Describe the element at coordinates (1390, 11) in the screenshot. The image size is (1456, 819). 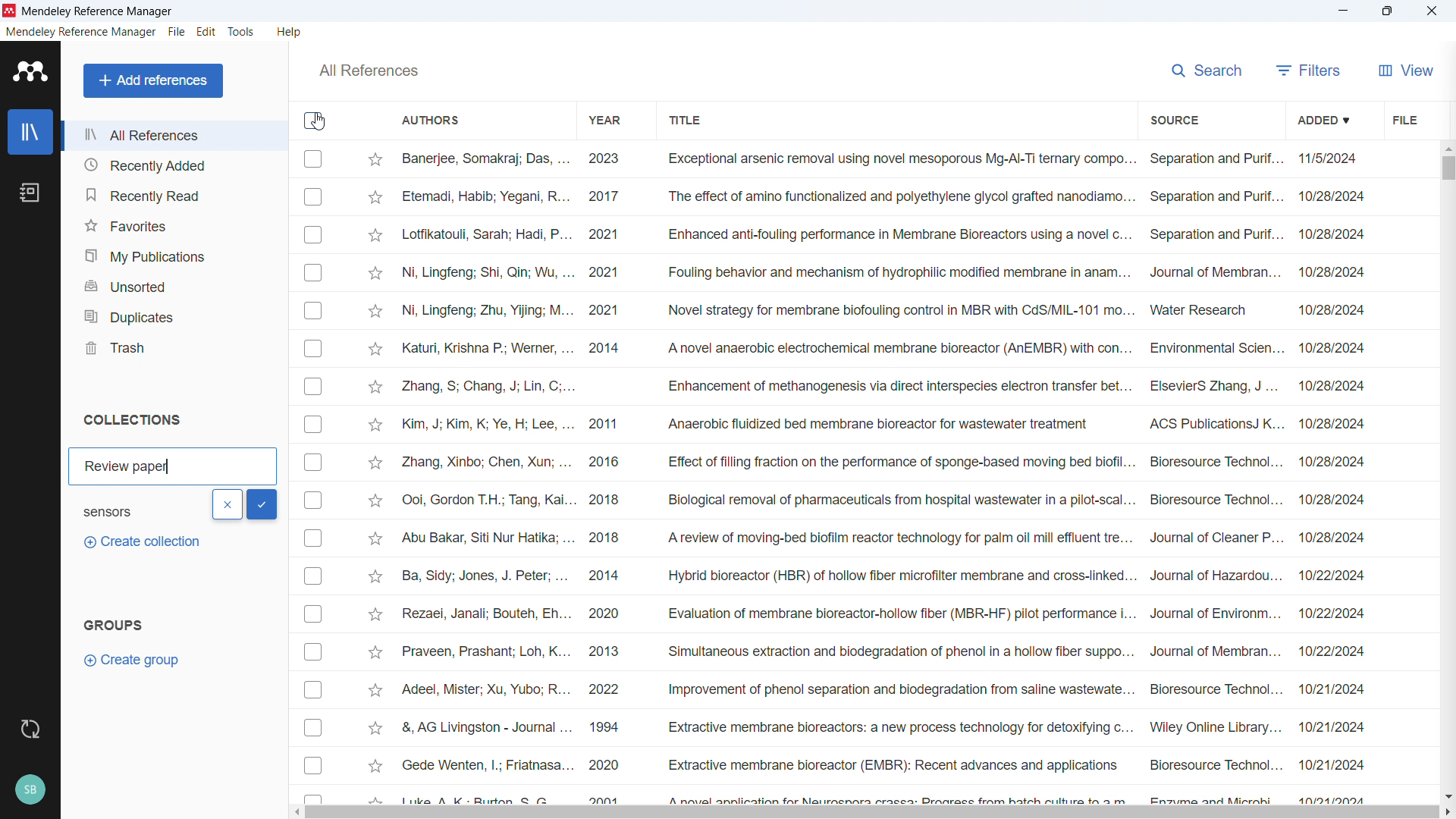
I see `maximise ` at that location.